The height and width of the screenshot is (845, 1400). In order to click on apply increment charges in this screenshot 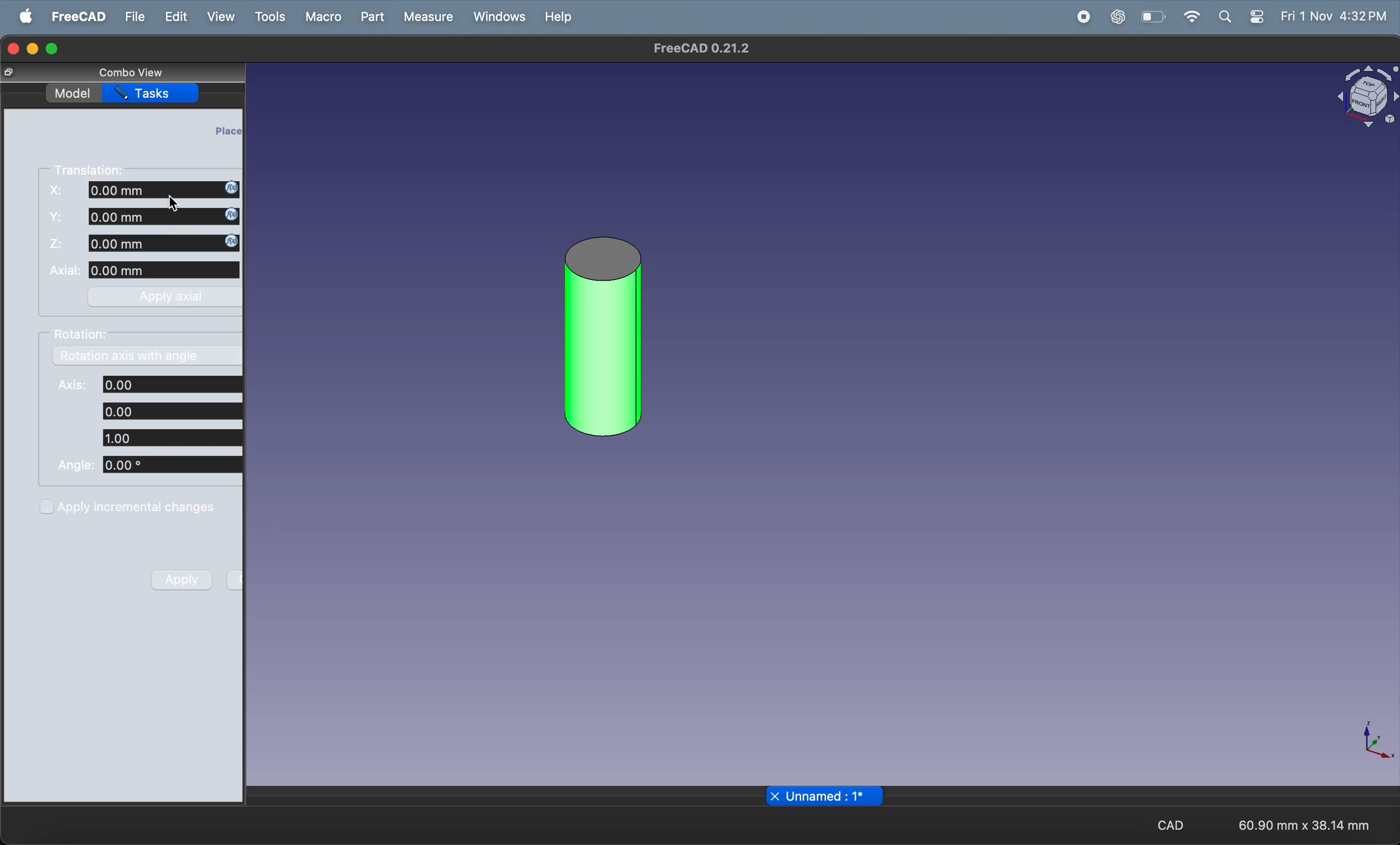, I will do `click(147, 508)`.